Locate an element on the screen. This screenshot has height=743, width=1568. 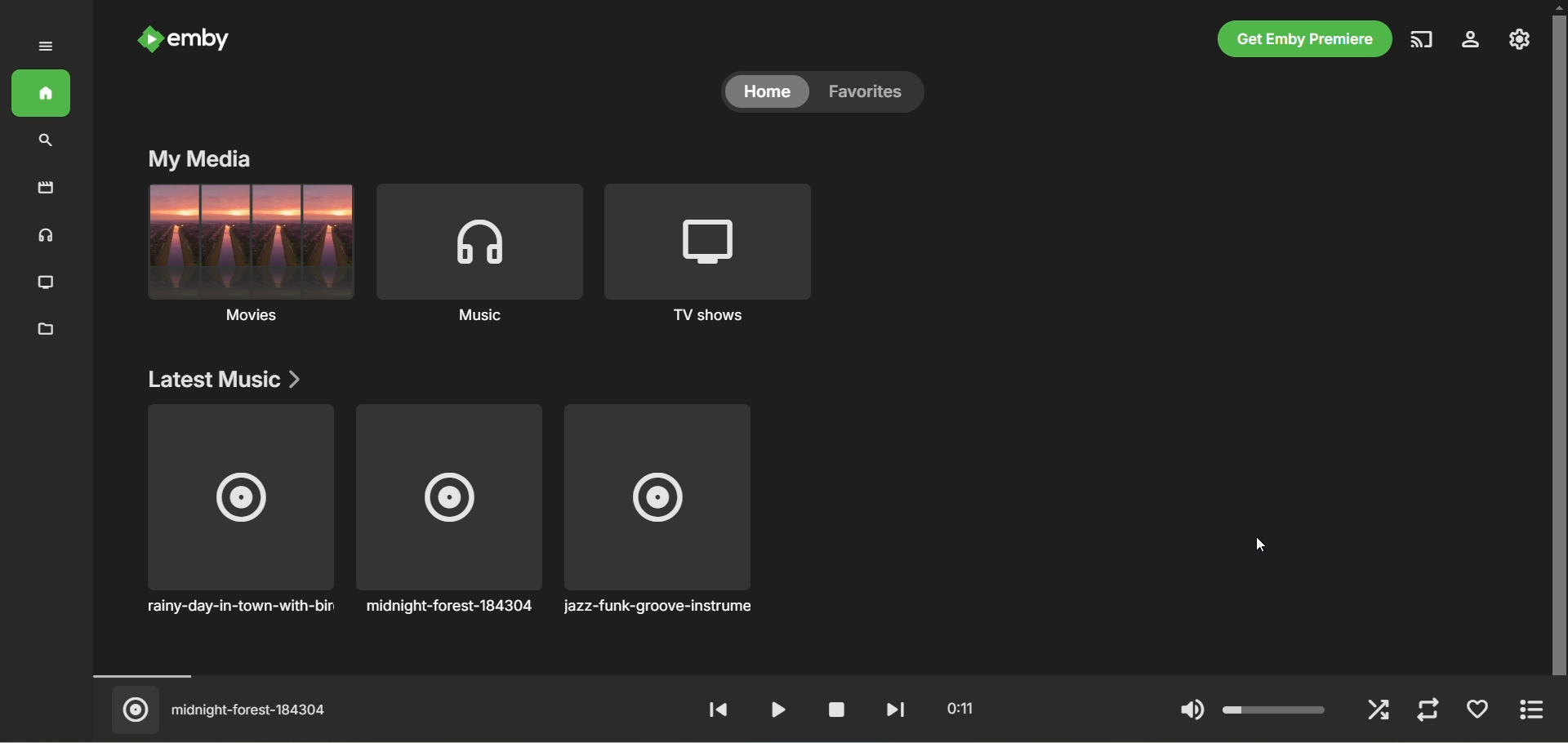
jazz-funk-groove-instrument is located at coordinates (658, 512).